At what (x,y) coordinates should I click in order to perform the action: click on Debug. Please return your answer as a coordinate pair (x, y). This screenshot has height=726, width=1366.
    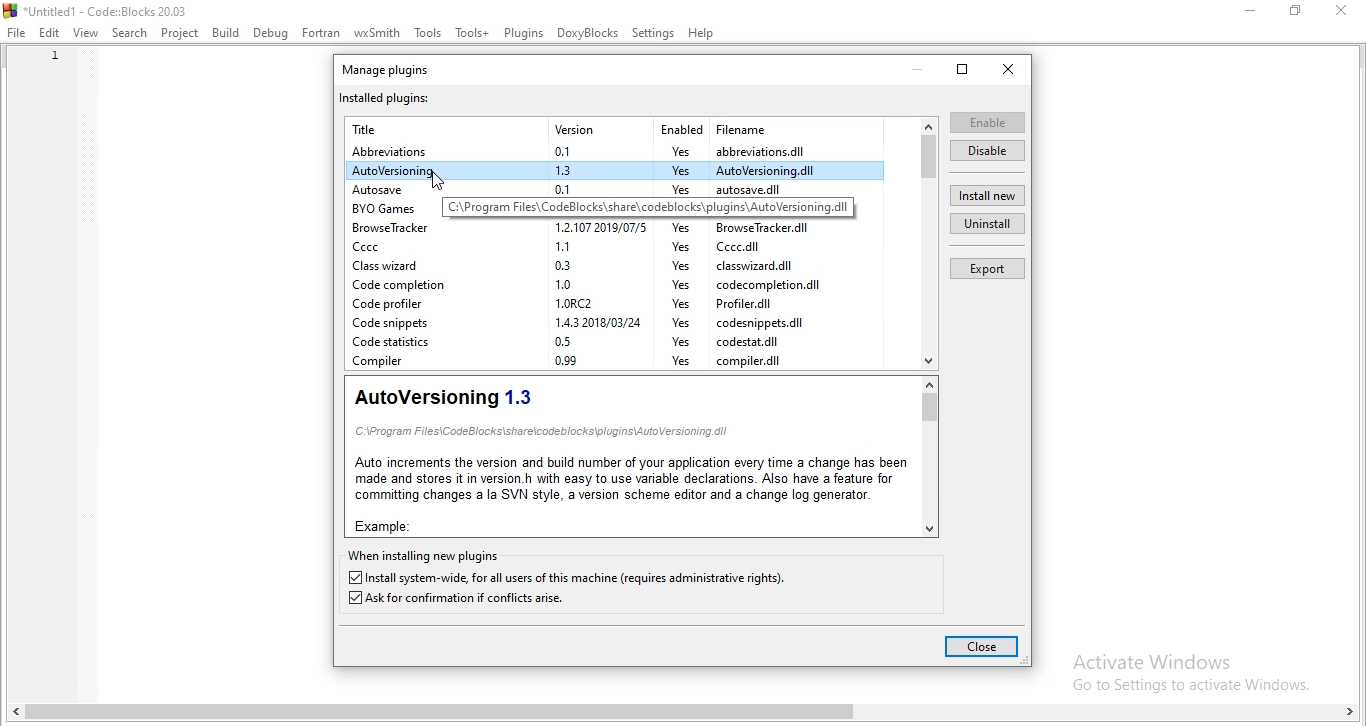
    Looking at the image, I should click on (270, 34).